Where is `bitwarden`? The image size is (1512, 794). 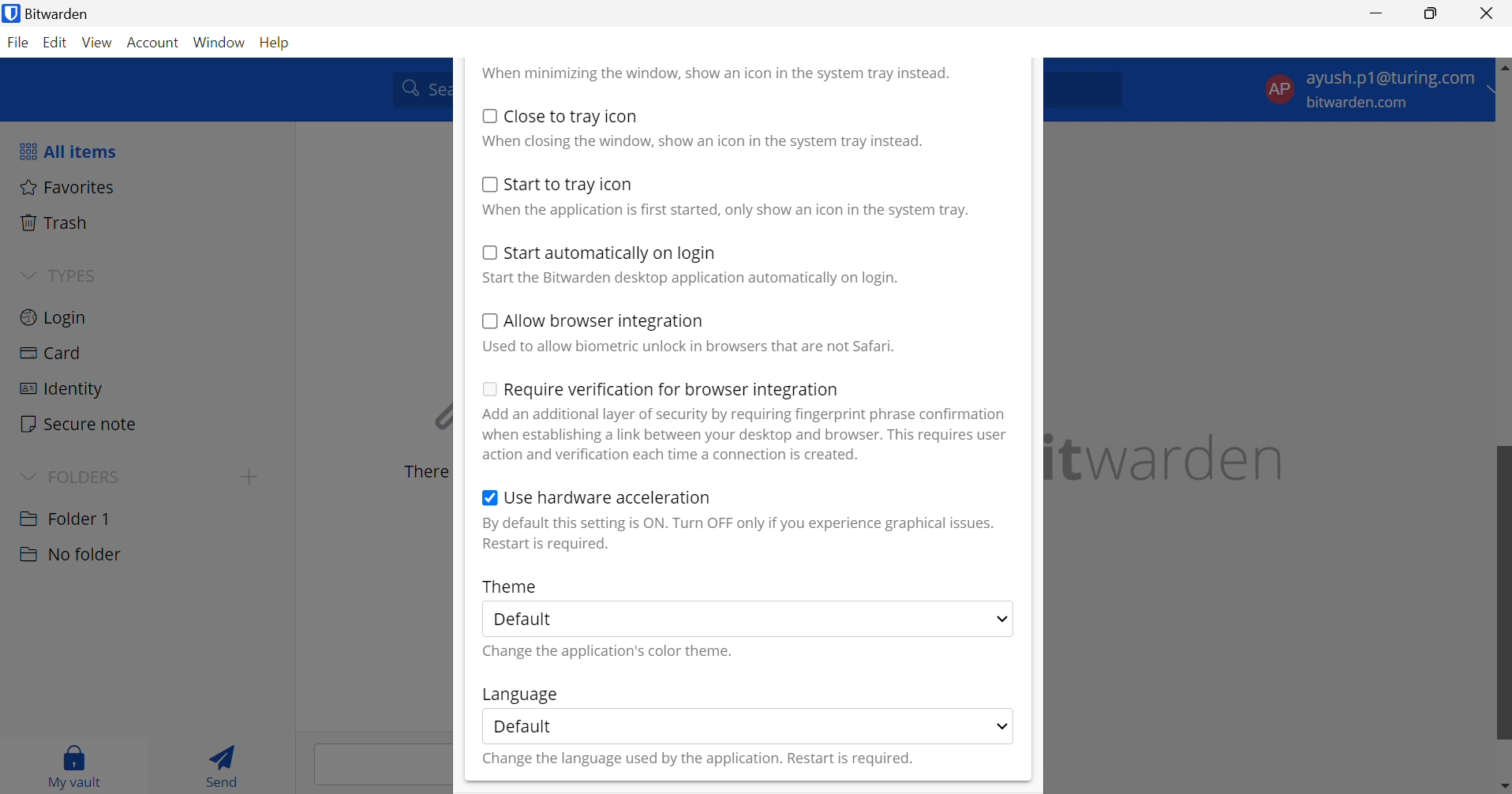 bitwarden is located at coordinates (1169, 458).